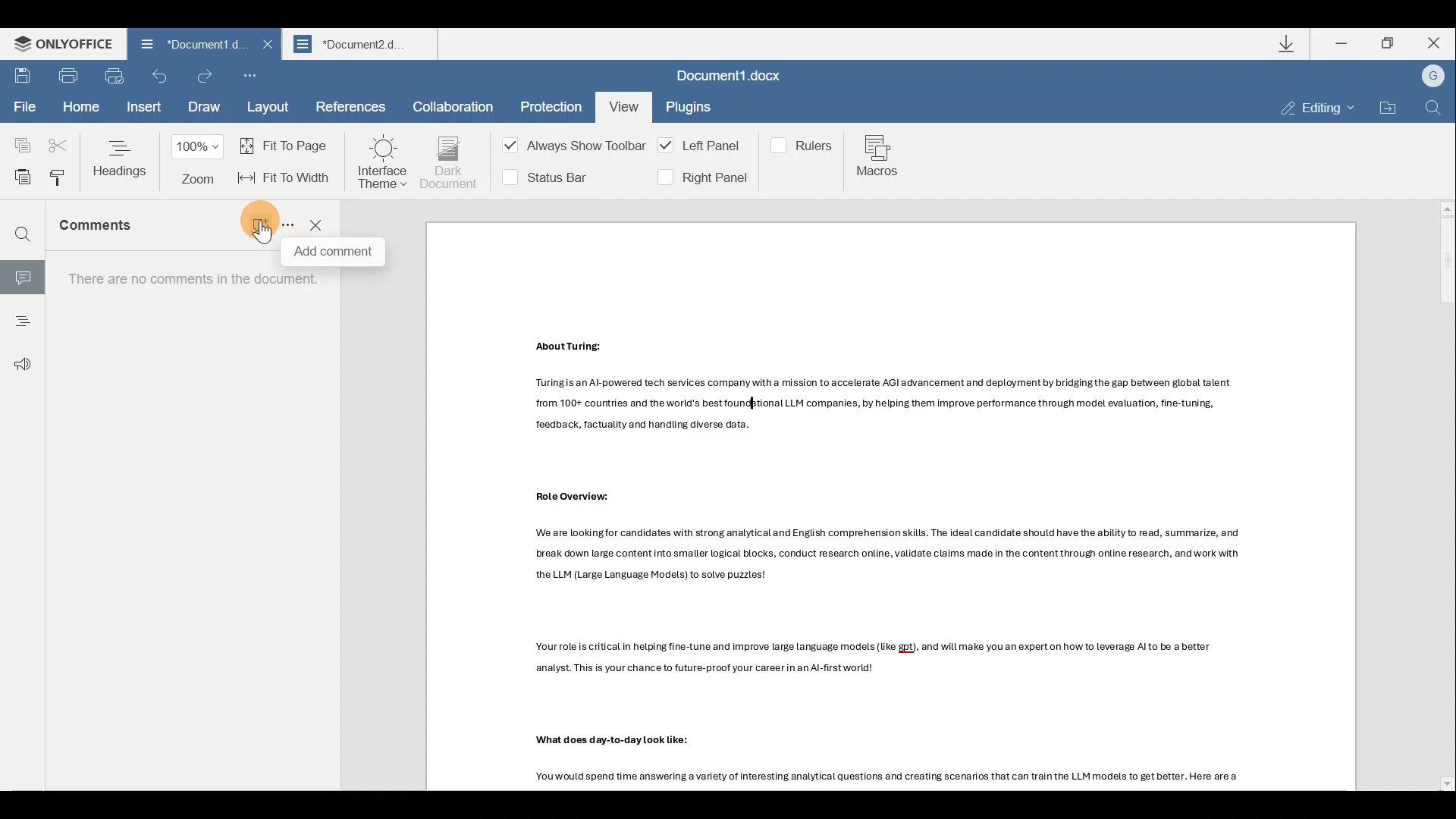 The width and height of the screenshot is (1456, 819). What do you see at coordinates (1318, 109) in the screenshot?
I see `Editing mode` at bounding box center [1318, 109].